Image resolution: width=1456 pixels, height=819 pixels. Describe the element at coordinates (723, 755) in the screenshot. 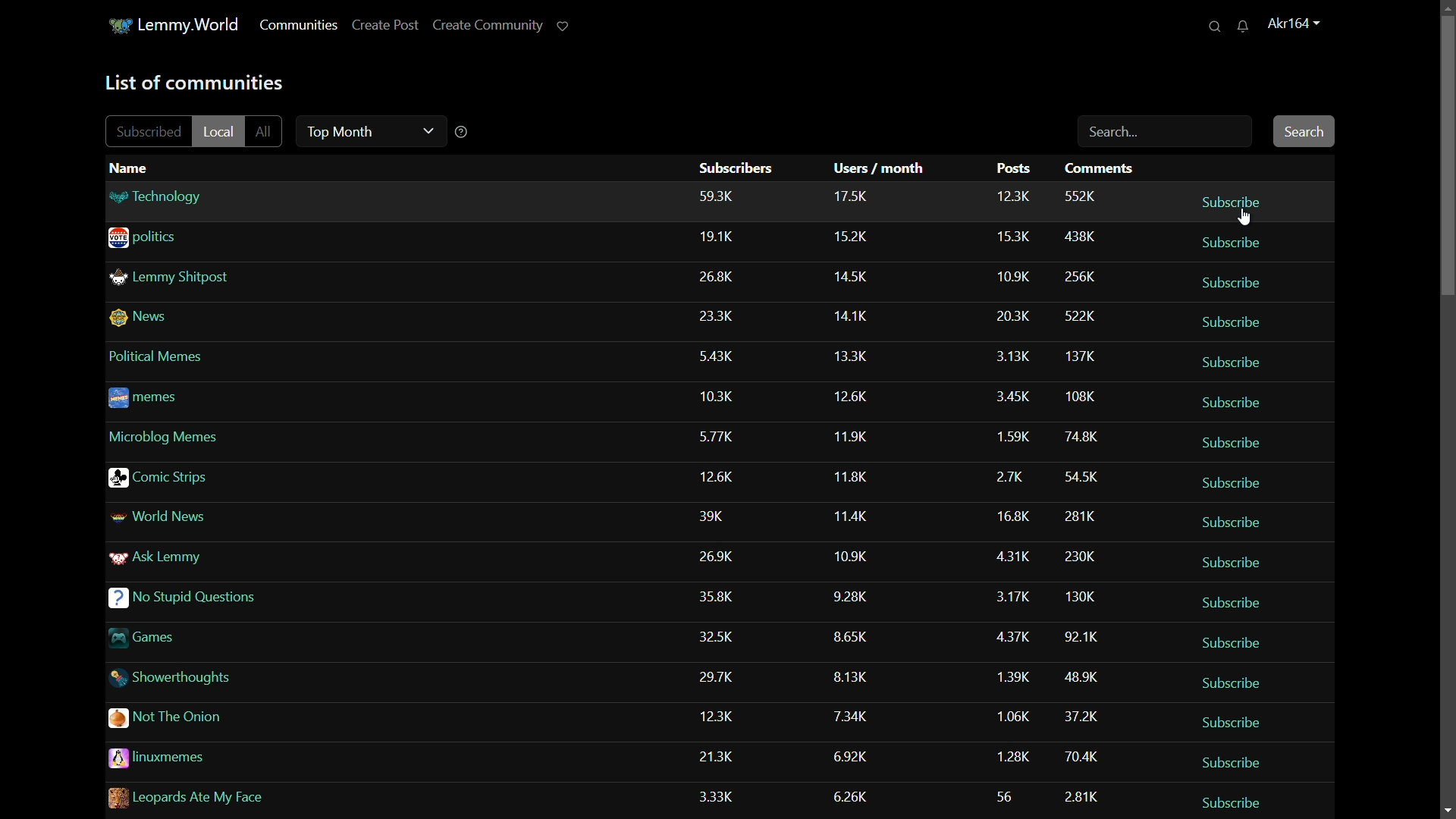

I see `subscribers` at that location.